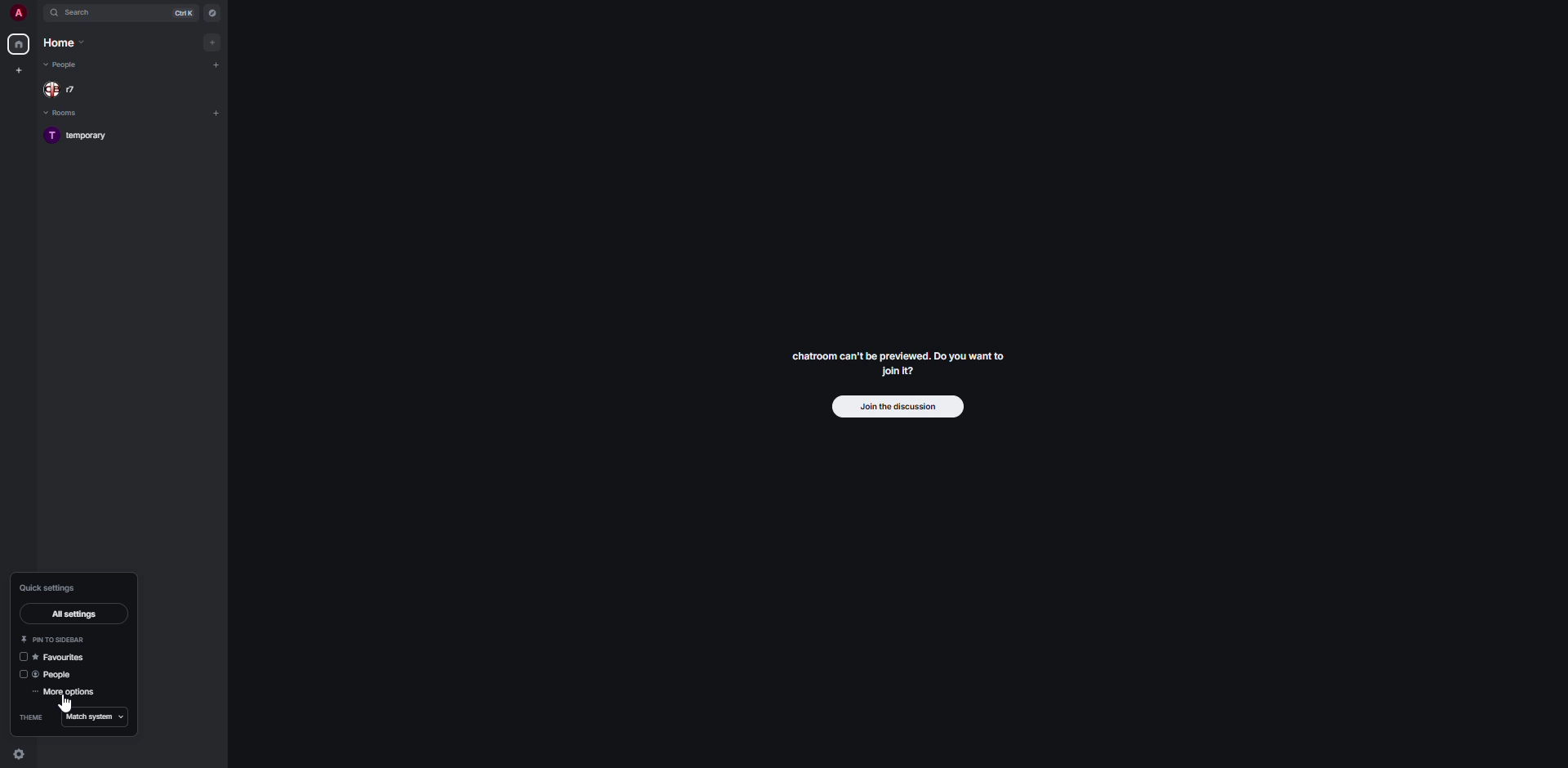  Describe the element at coordinates (64, 65) in the screenshot. I see `people` at that location.